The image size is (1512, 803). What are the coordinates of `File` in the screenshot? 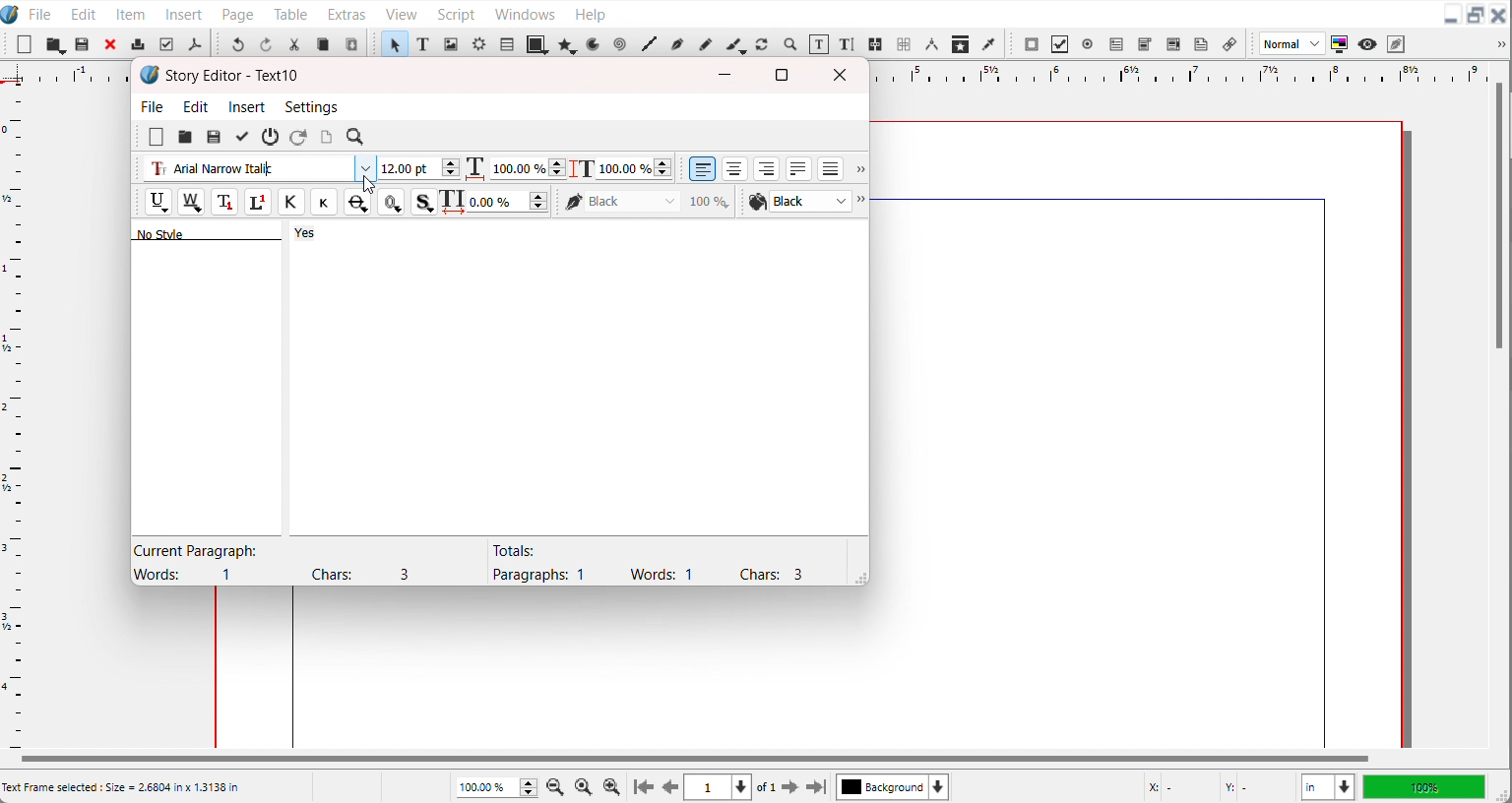 It's located at (154, 105).